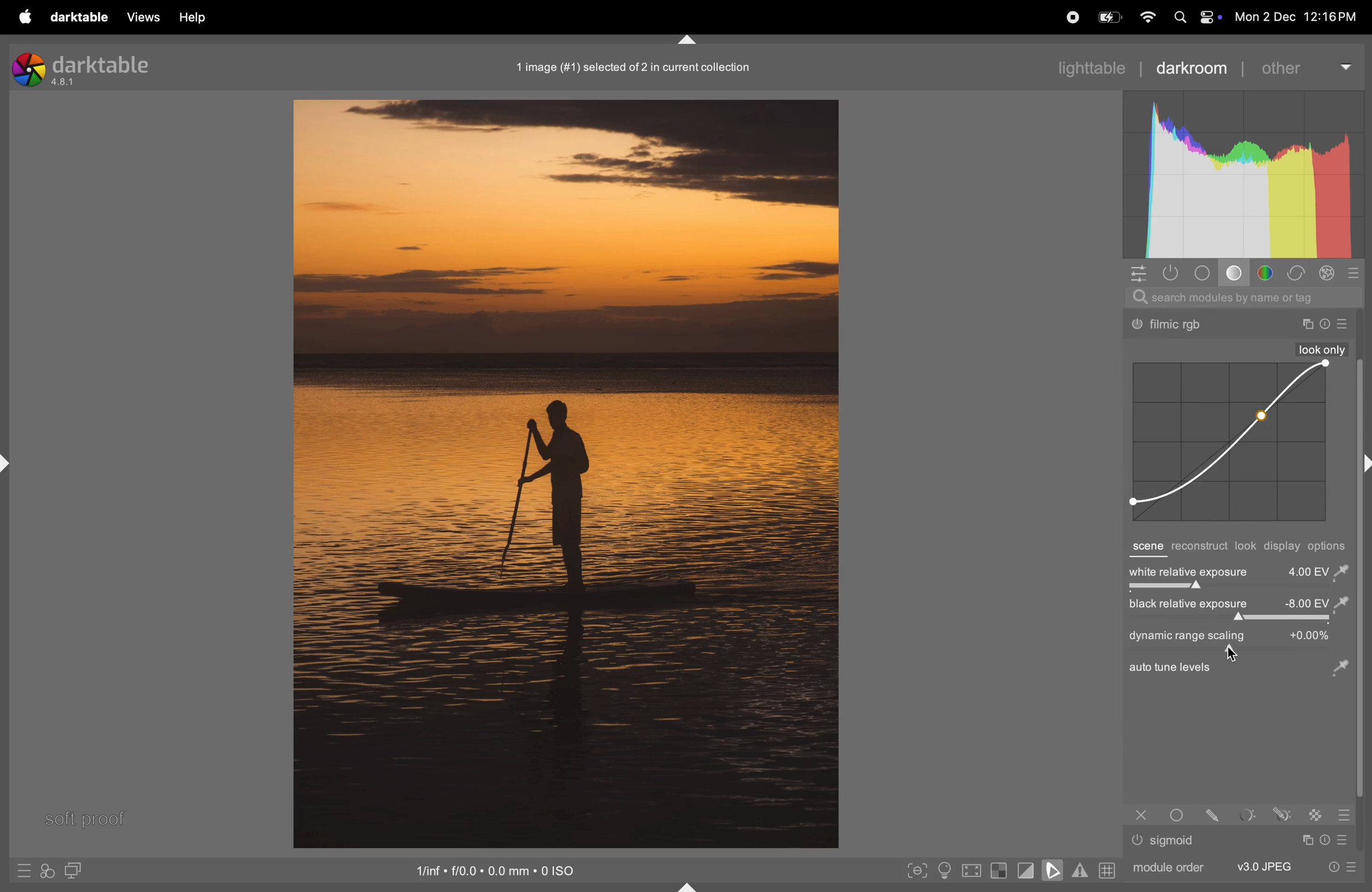  What do you see at coordinates (1282, 814) in the screenshot?
I see `` at bounding box center [1282, 814].